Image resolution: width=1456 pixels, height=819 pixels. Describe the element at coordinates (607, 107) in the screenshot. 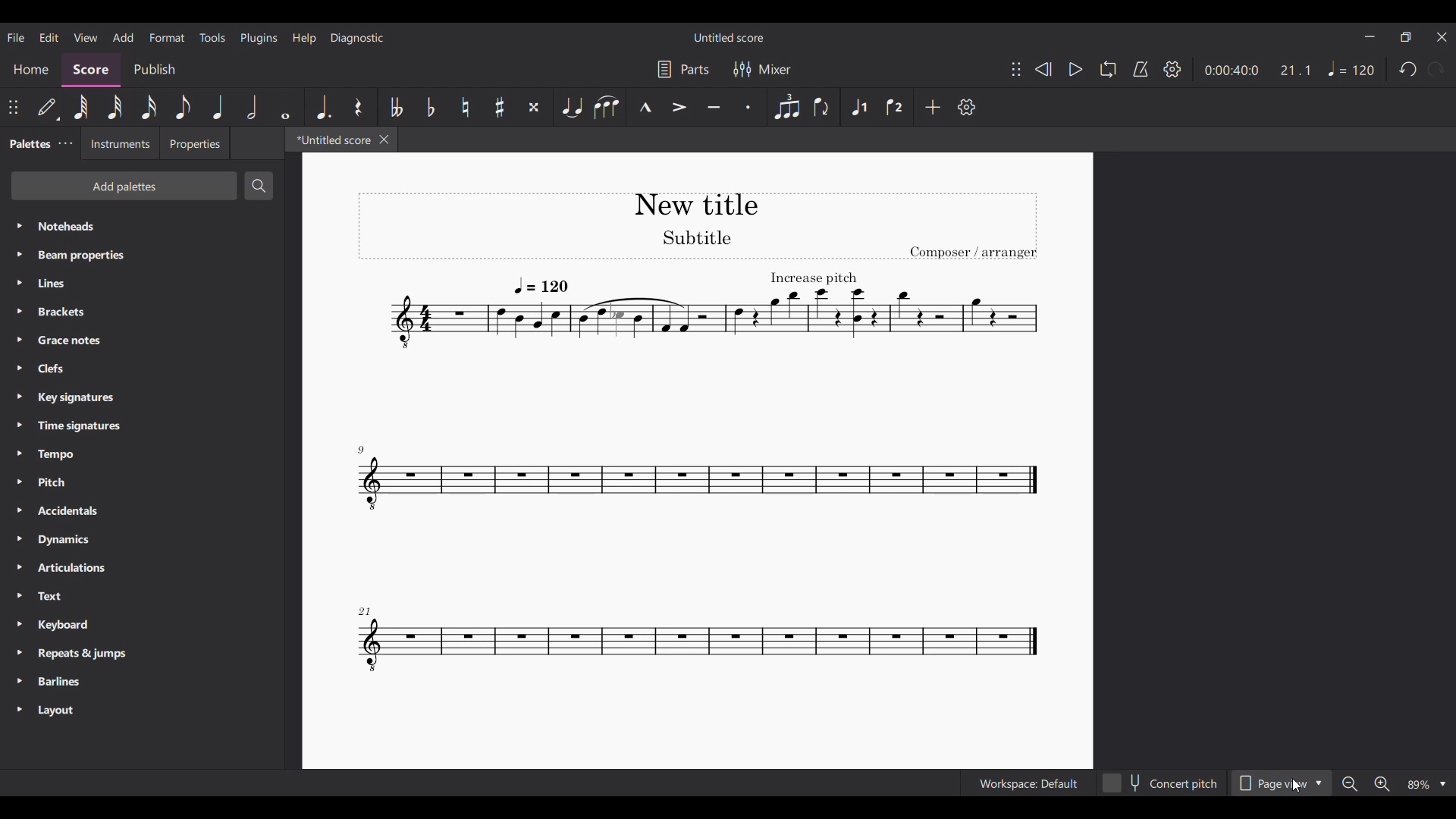

I see `Slur` at that location.